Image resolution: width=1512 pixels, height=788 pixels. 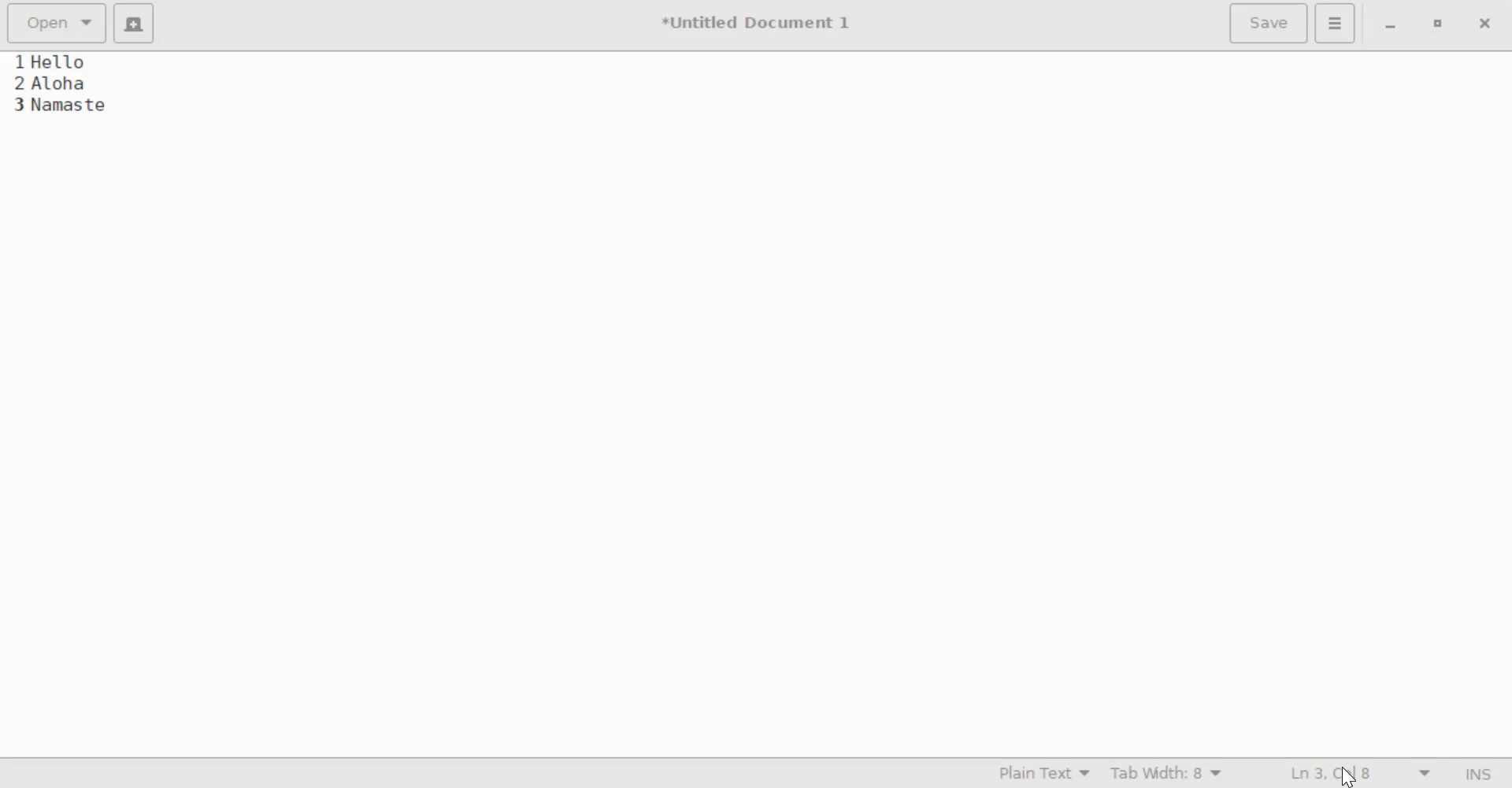 What do you see at coordinates (766, 253) in the screenshot?
I see `Hello Aloha Namaste` at bounding box center [766, 253].